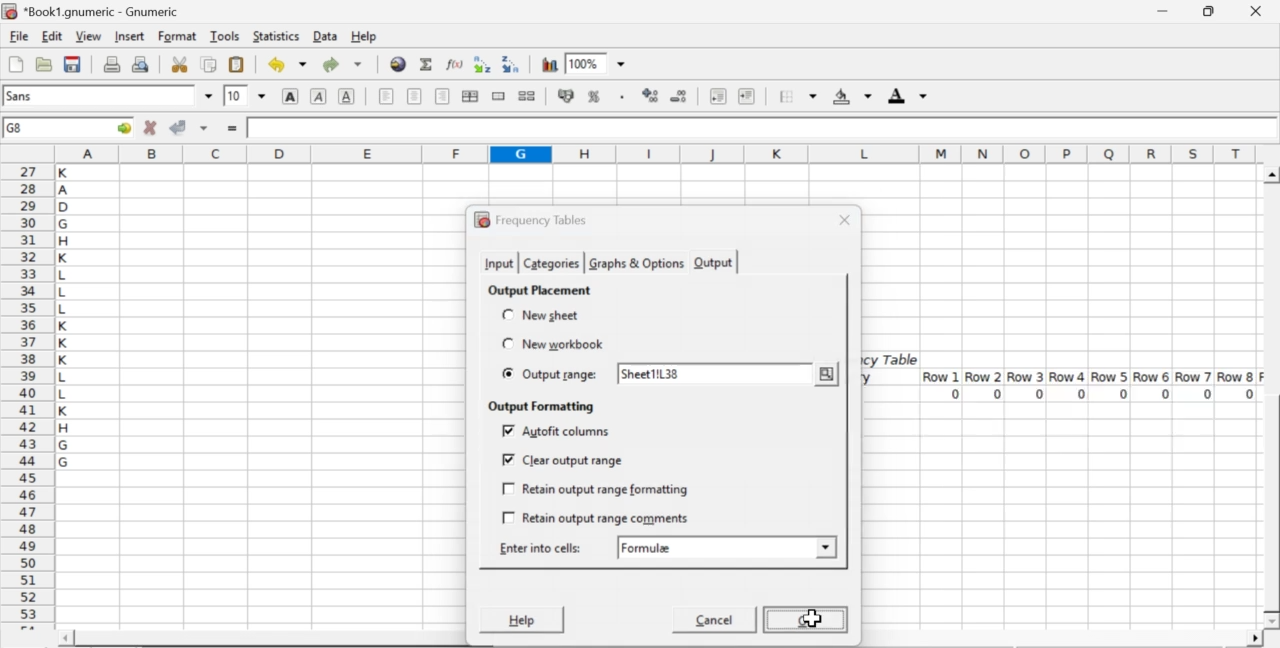 The image size is (1280, 648). Describe the element at coordinates (718, 95) in the screenshot. I see `decrease indent` at that location.